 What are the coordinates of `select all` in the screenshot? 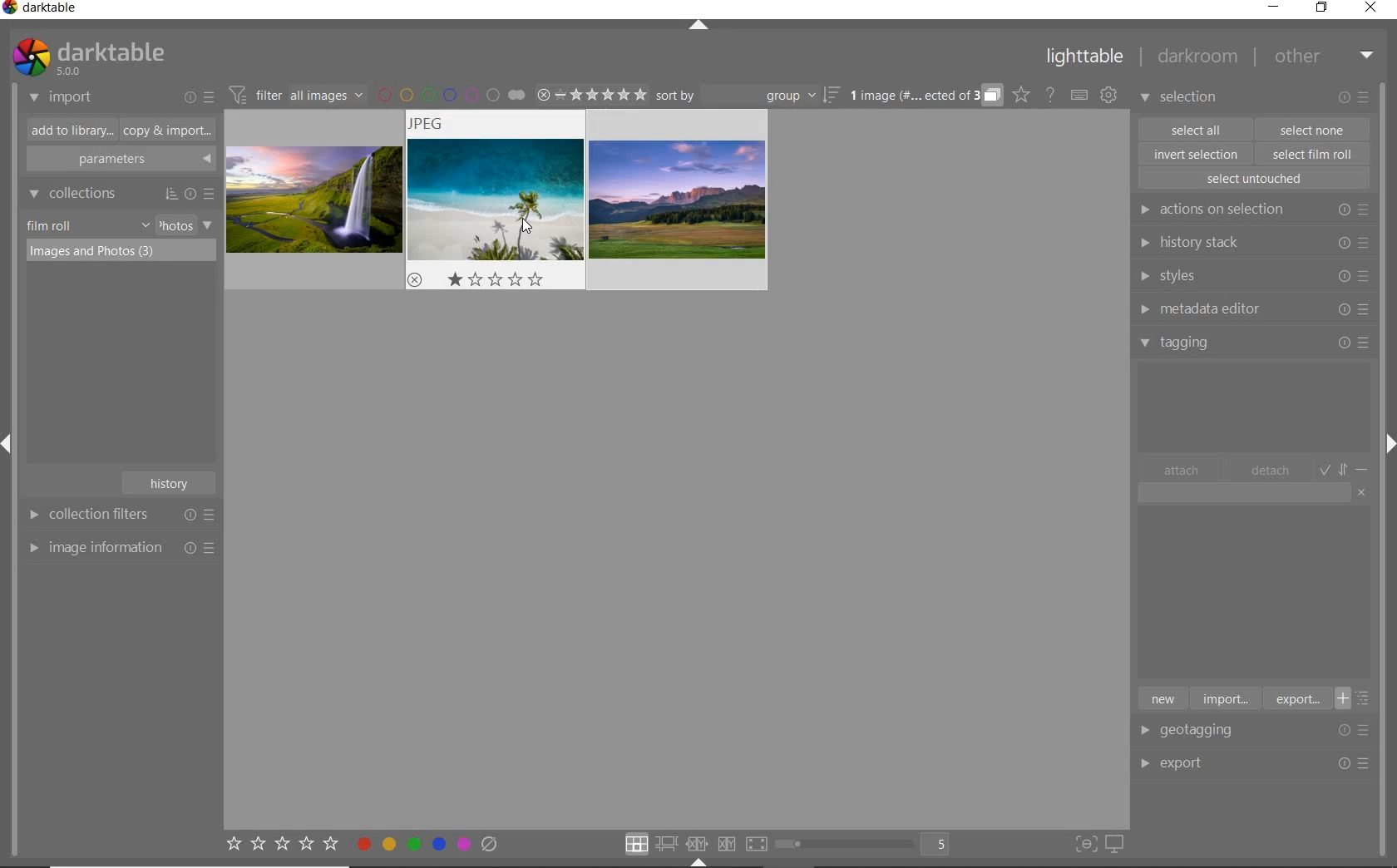 It's located at (1196, 128).